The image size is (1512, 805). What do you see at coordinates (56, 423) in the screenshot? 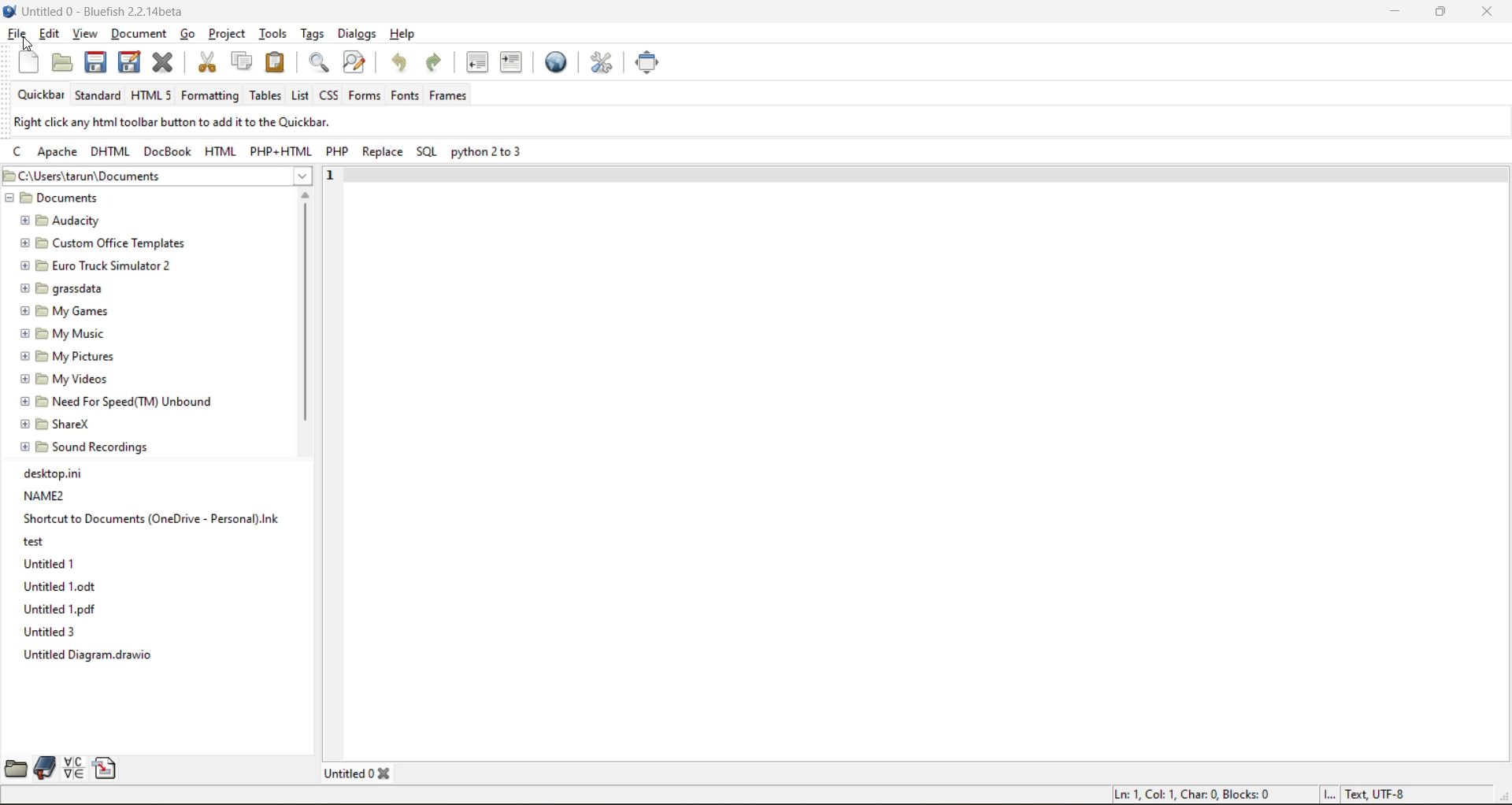
I see `ShareX` at bounding box center [56, 423].